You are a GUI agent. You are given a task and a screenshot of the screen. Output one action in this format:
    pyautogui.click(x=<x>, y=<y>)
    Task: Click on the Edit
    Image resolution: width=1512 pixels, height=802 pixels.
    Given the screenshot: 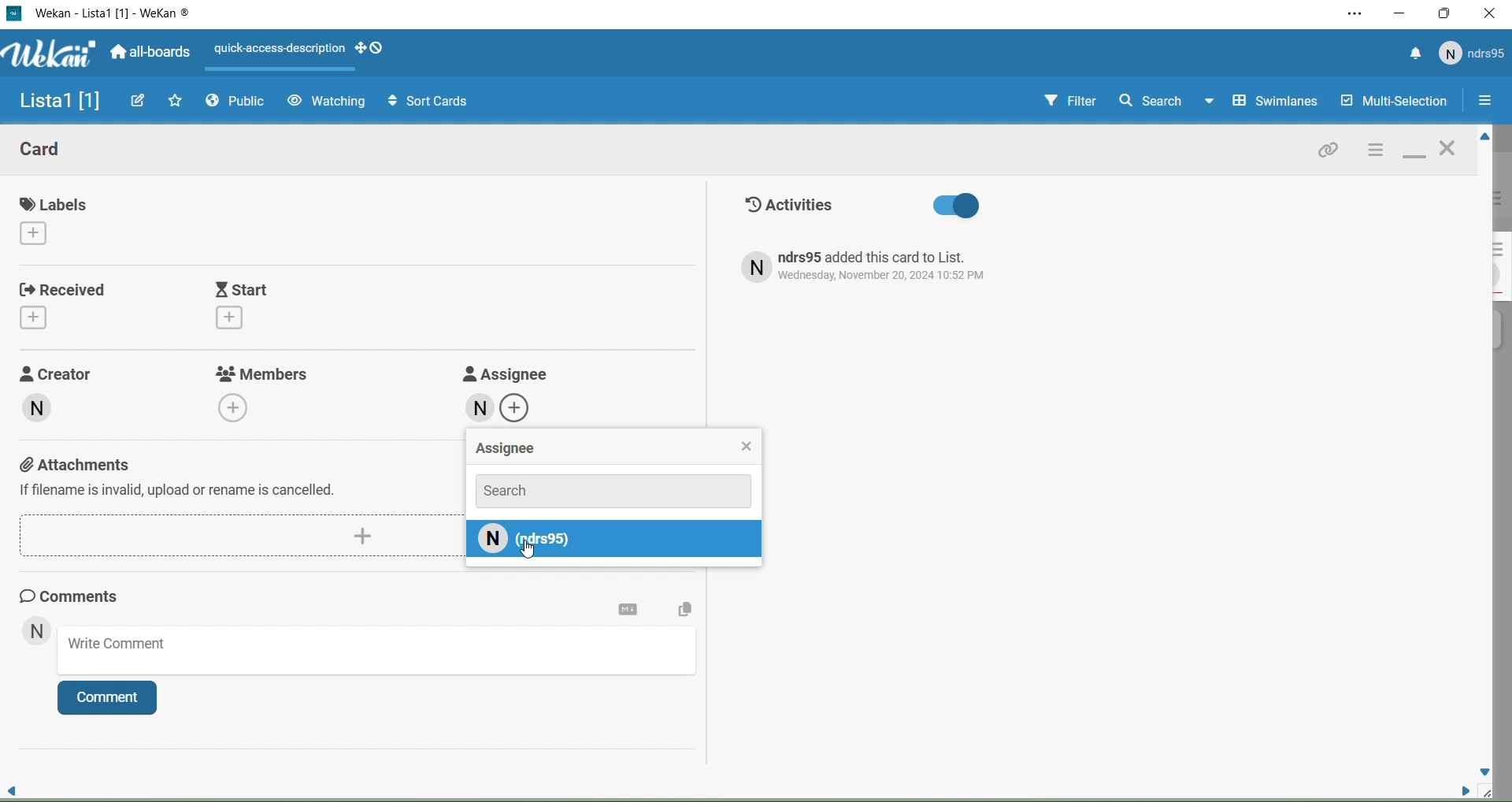 What is the action you would take?
    pyautogui.click(x=139, y=100)
    